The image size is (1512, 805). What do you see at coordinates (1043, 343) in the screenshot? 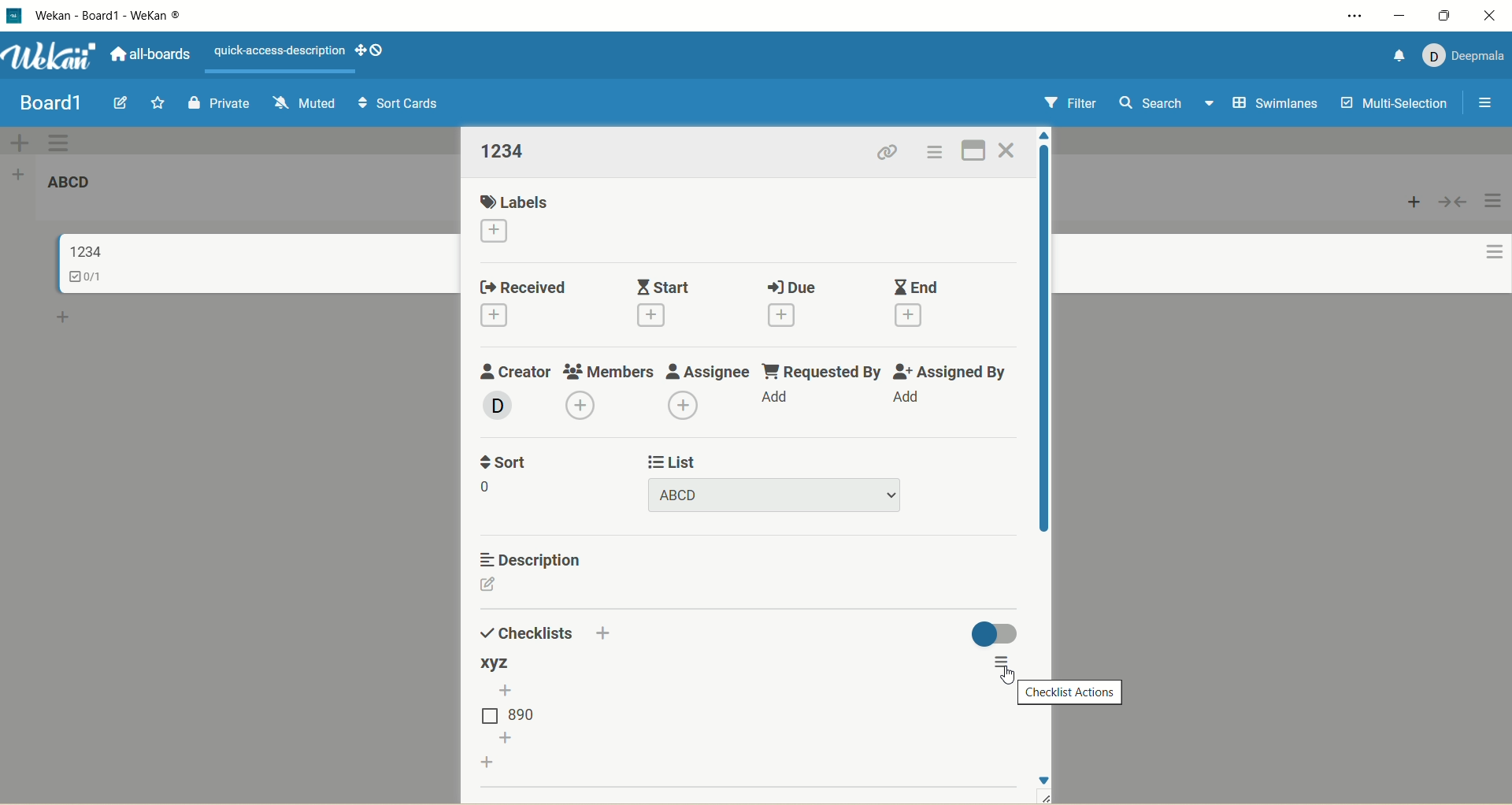
I see `vertical scroll bar` at bounding box center [1043, 343].